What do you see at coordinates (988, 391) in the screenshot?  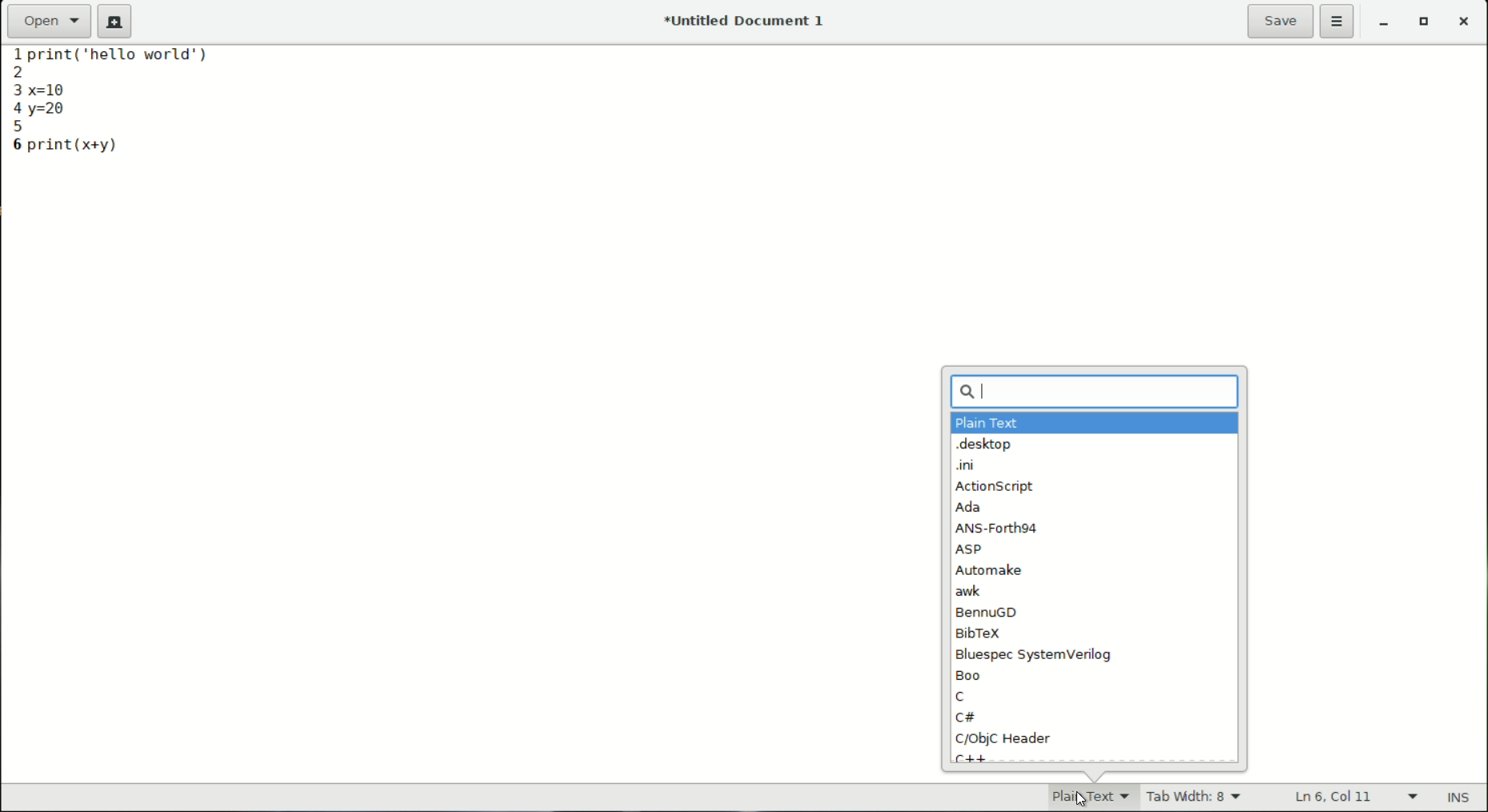 I see `cursor` at bounding box center [988, 391].